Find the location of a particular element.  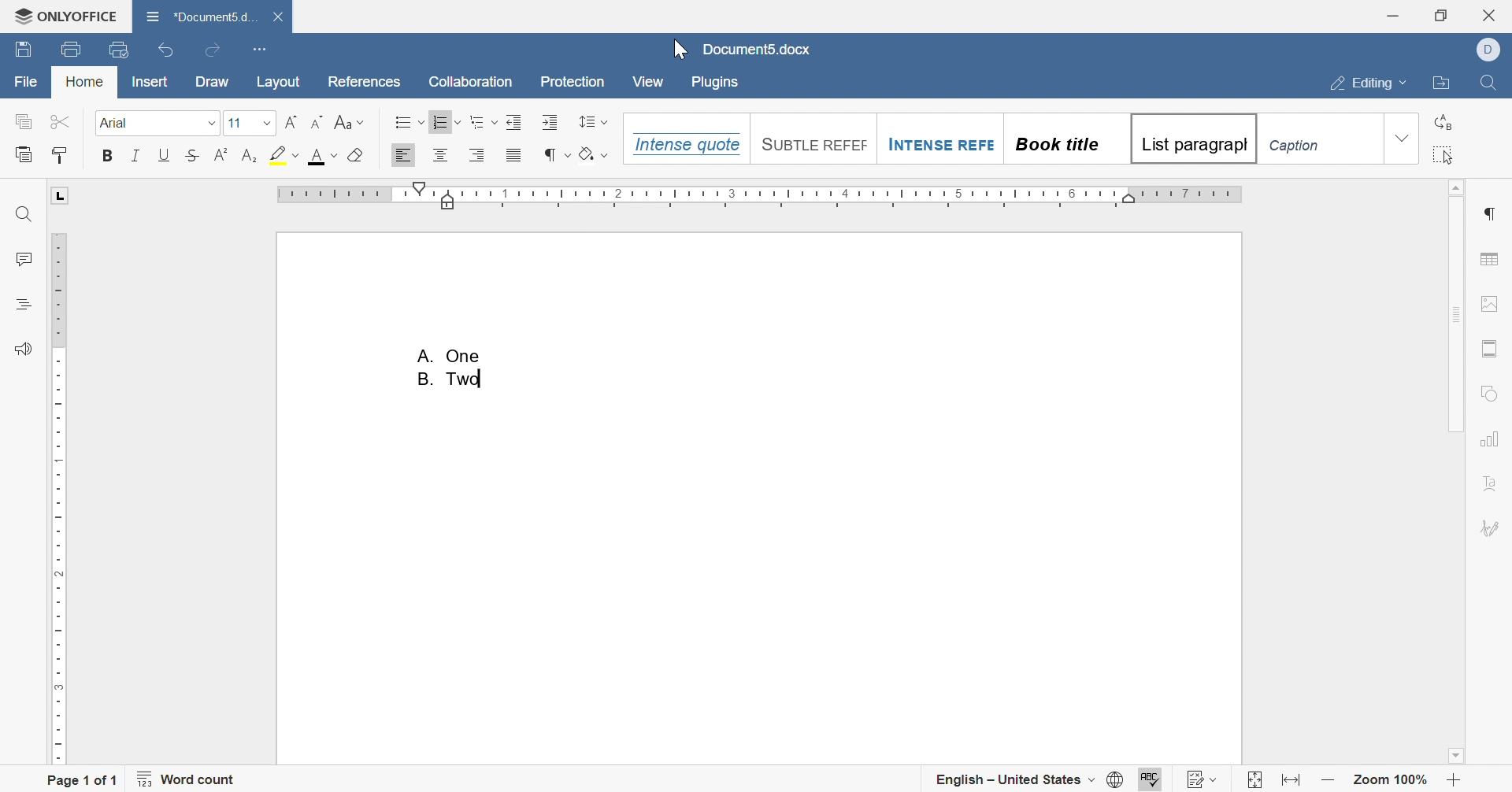

italic is located at coordinates (136, 153).